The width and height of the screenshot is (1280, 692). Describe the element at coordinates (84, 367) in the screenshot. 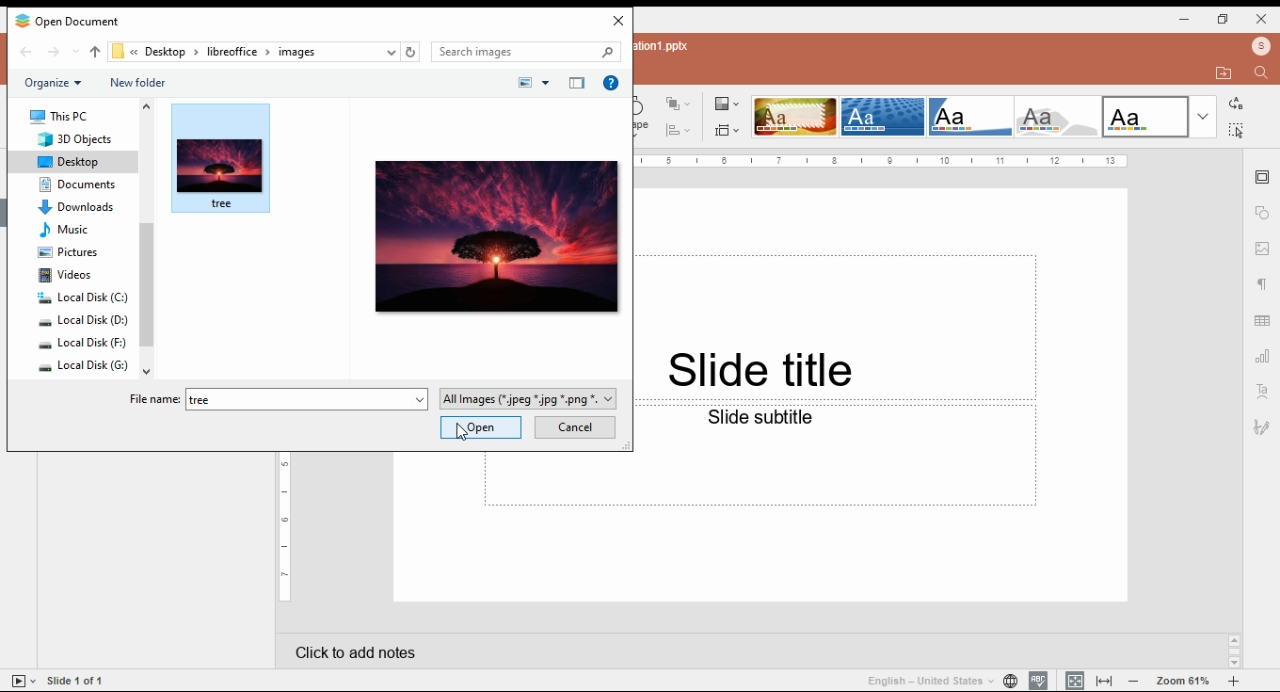

I see `system drive 4` at that location.